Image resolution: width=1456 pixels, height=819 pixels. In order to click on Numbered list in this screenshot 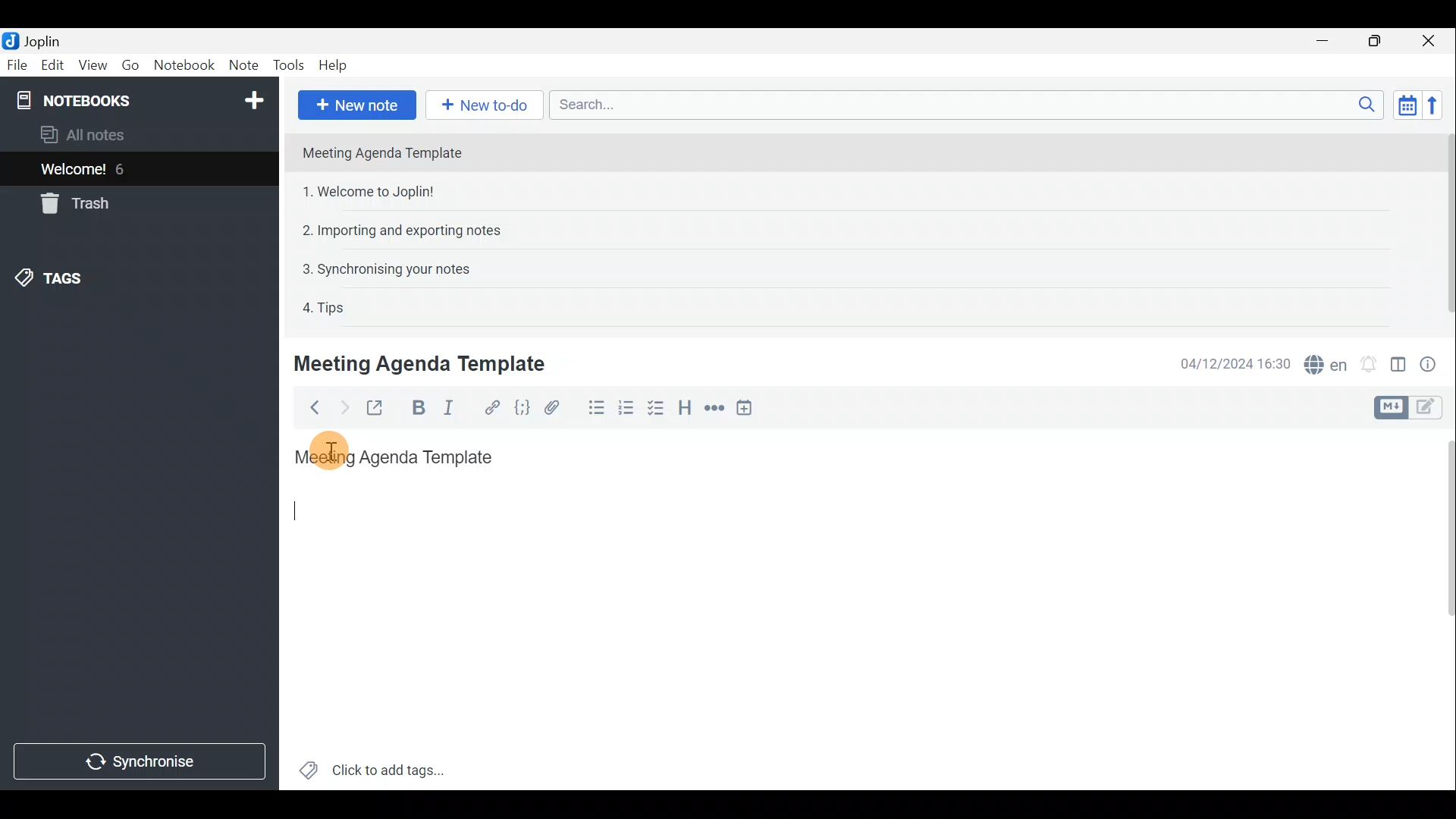, I will do `click(626, 410)`.